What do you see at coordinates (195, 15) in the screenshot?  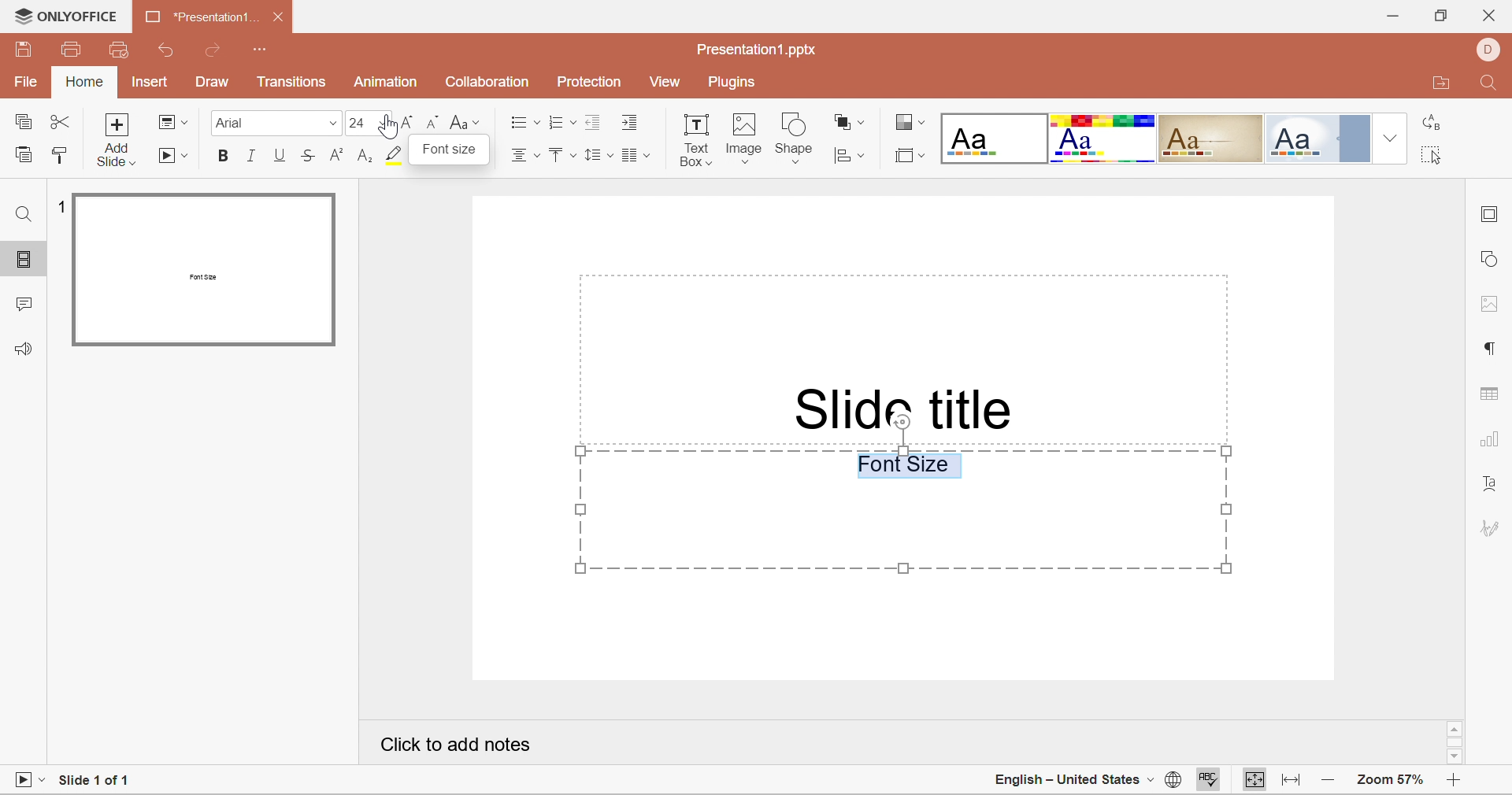 I see `*Presentation1` at bounding box center [195, 15].